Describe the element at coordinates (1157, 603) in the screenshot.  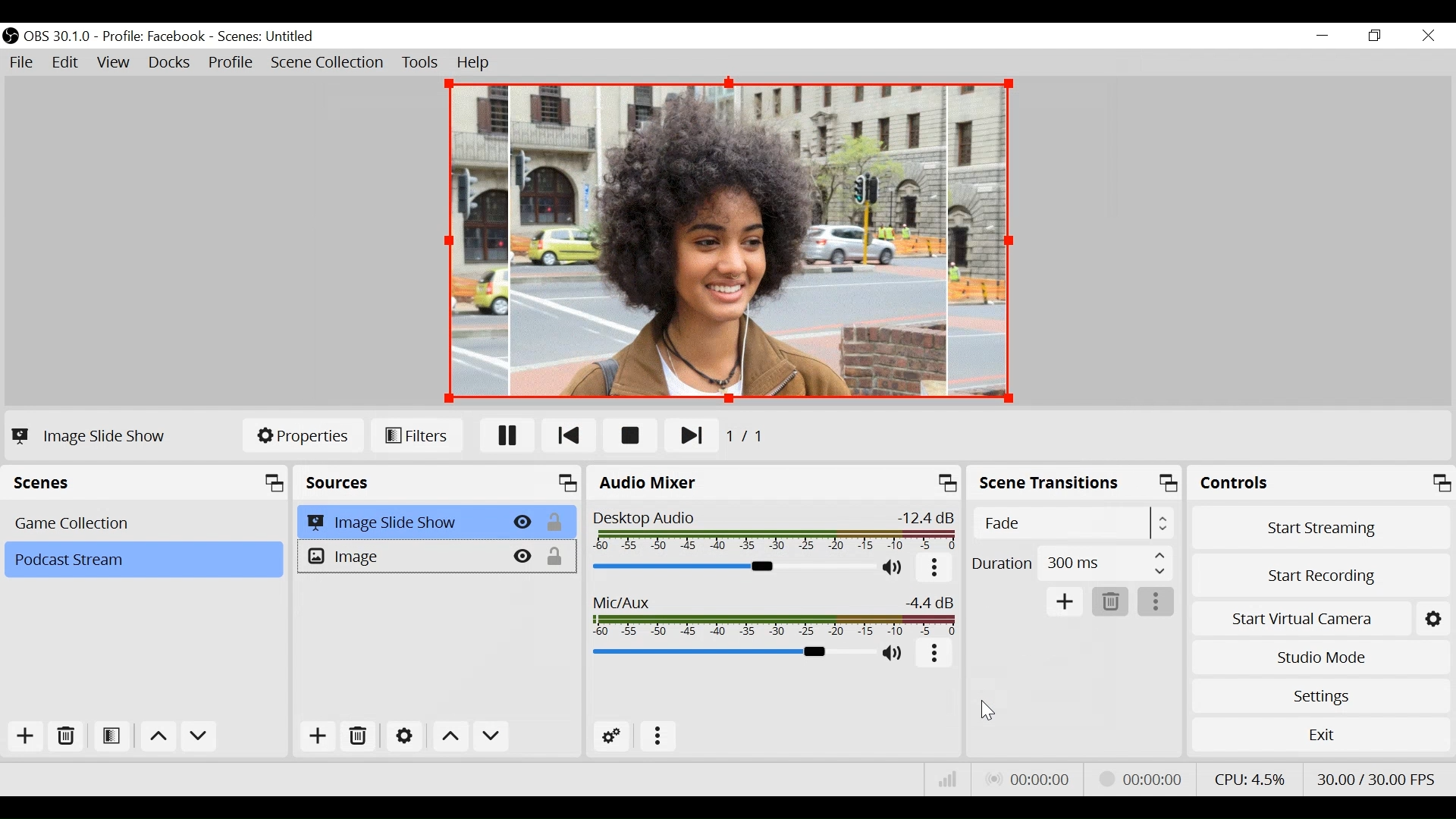
I see `more options` at that location.